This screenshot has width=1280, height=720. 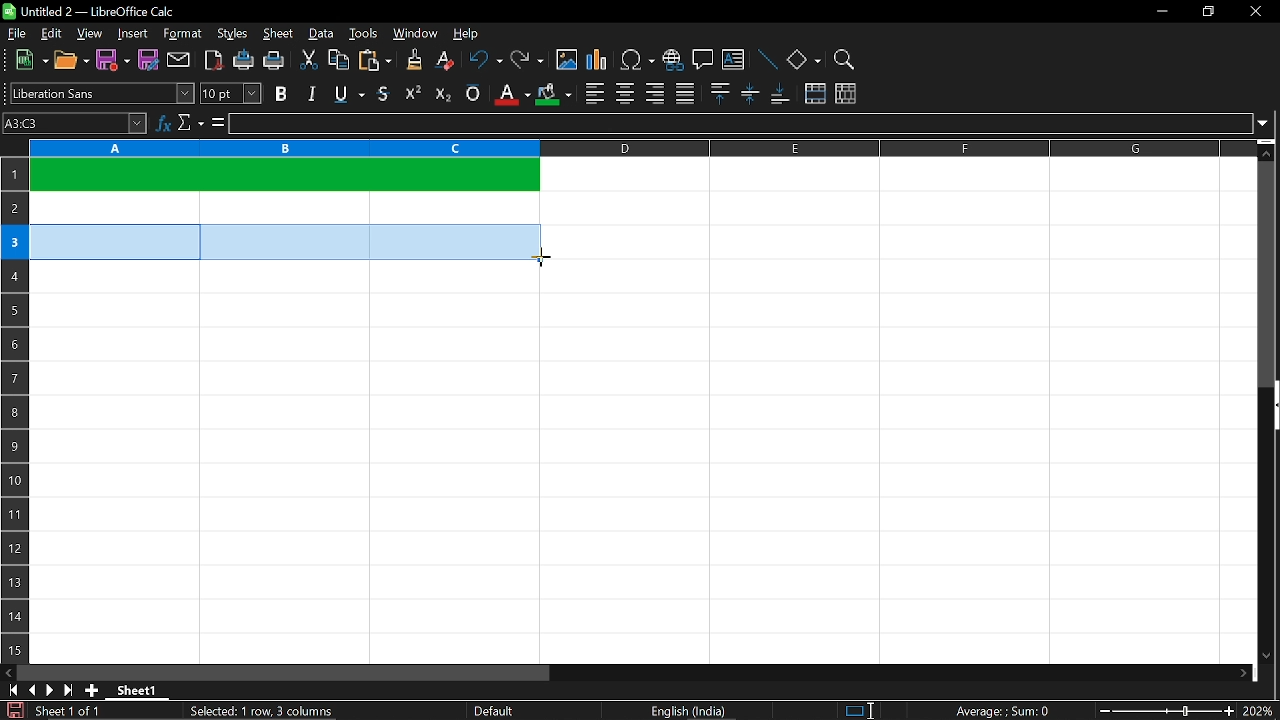 What do you see at coordinates (1163, 711) in the screenshot?
I see `change zoom` at bounding box center [1163, 711].